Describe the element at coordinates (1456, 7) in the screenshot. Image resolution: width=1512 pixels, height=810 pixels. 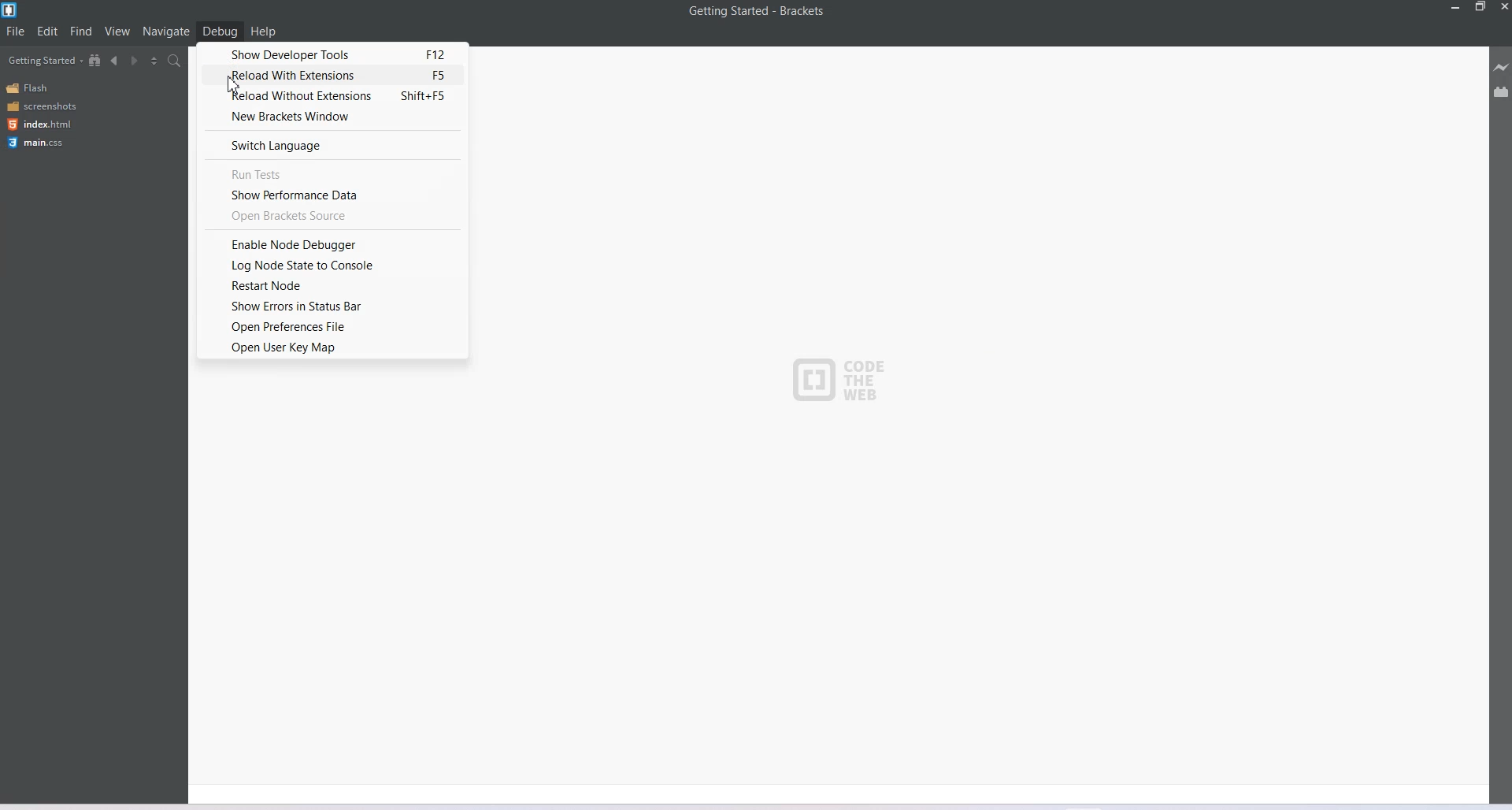
I see `Minimize` at that location.